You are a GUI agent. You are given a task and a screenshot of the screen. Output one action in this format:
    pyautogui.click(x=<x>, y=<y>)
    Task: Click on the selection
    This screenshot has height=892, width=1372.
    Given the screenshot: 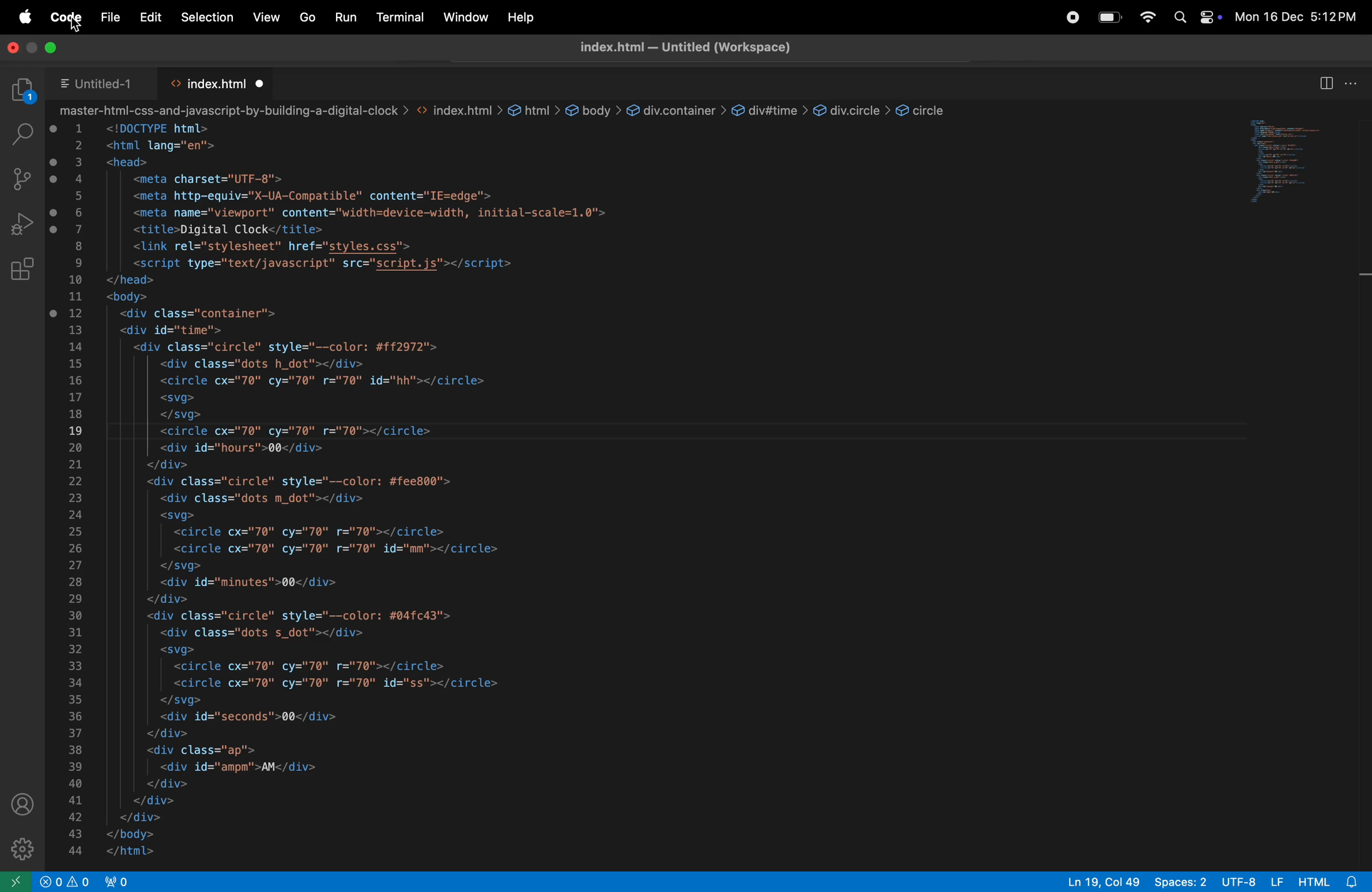 What is the action you would take?
    pyautogui.click(x=209, y=18)
    